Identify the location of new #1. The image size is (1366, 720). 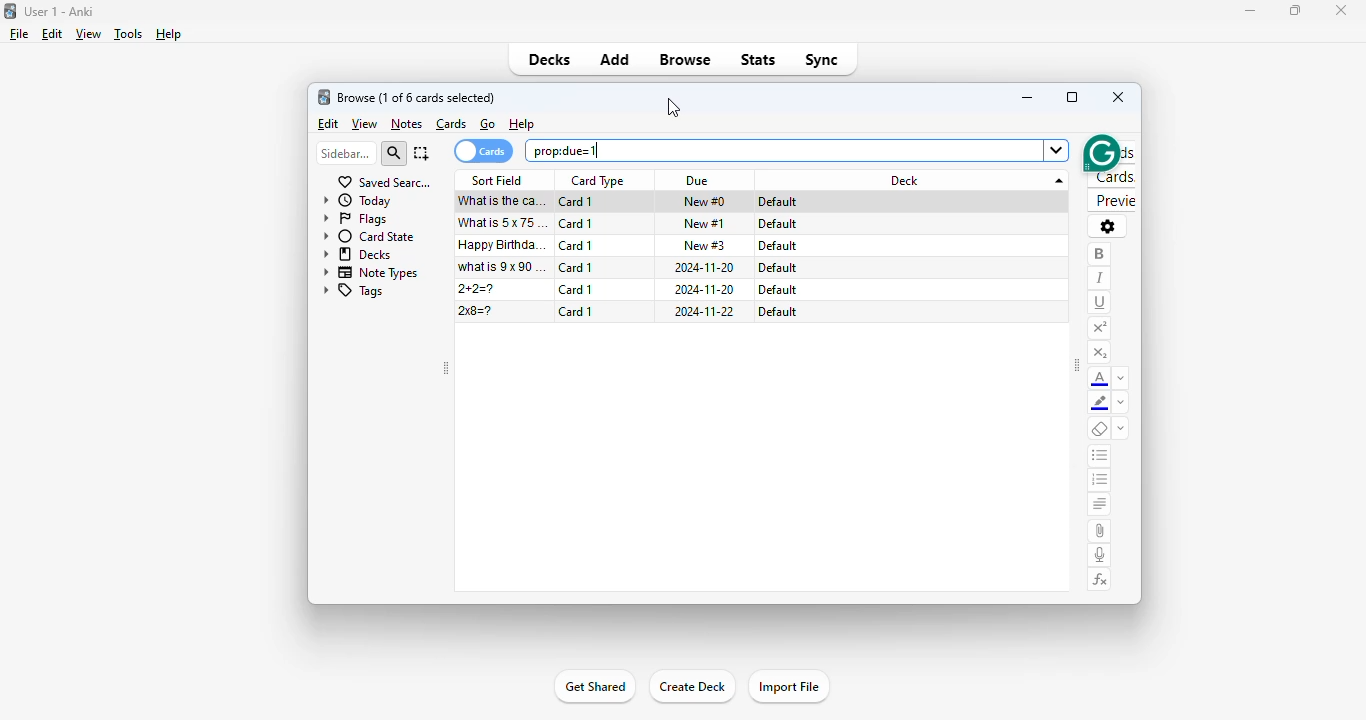
(705, 224).